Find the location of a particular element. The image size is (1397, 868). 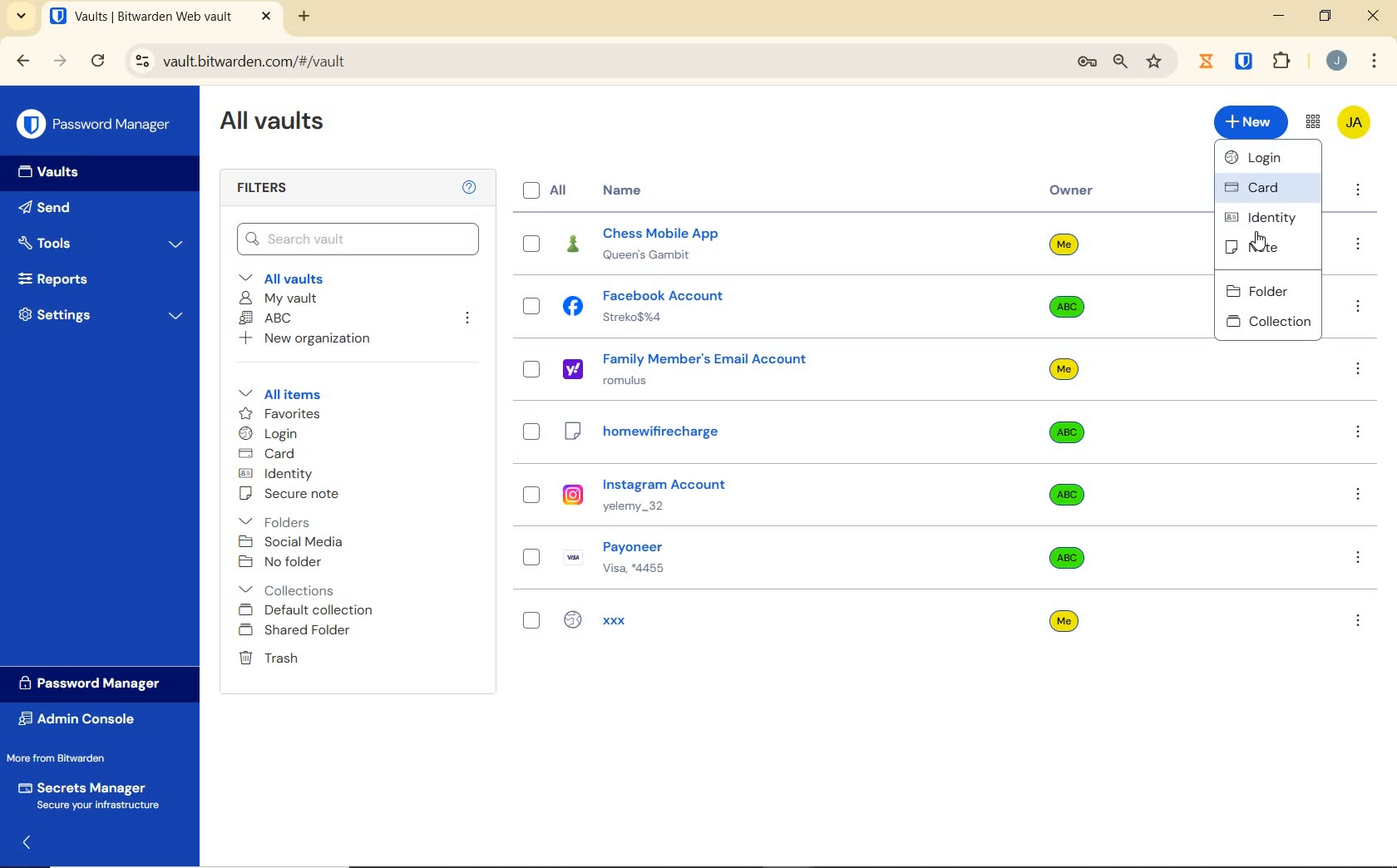

Owner Name is located at coordinates (1064, 433).